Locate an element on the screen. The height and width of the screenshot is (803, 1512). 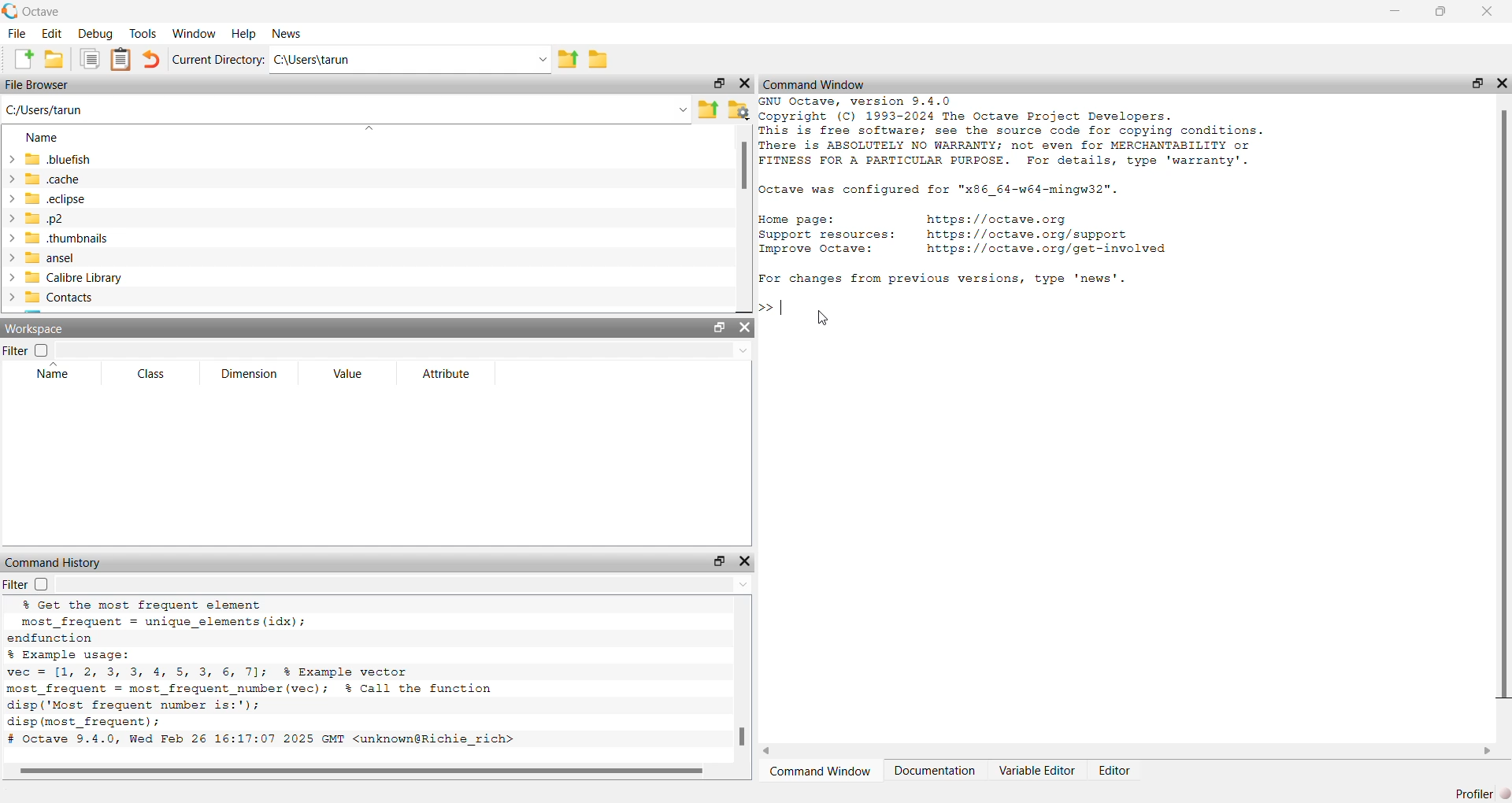
Current Directory: is located at coordinates (219, 58).